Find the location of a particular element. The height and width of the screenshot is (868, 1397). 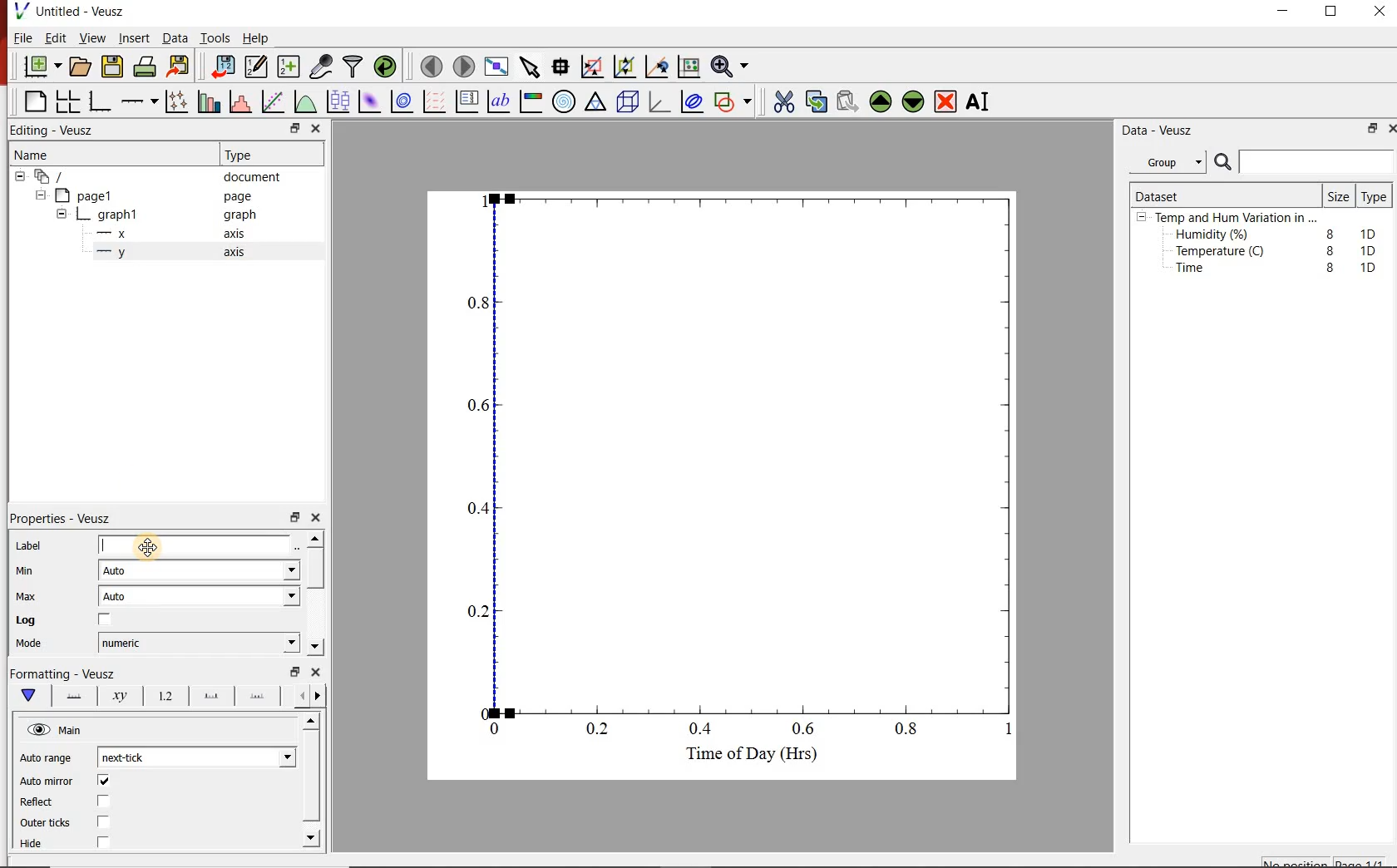

scroll bar is located at coordinates (311, 778).